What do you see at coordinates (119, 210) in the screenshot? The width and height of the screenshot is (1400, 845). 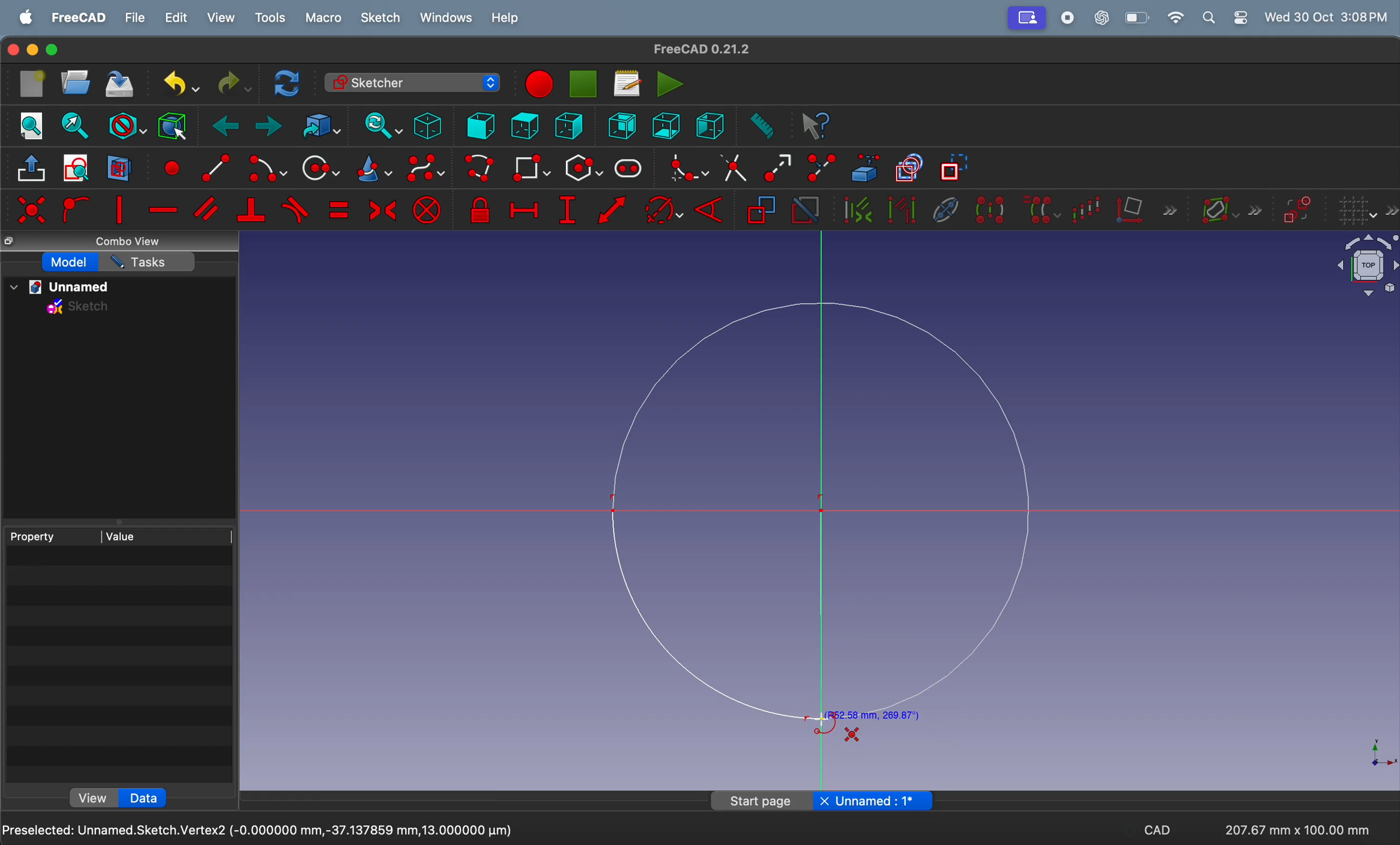 I see `constrain point vertical` at bounding box center [119, 210].